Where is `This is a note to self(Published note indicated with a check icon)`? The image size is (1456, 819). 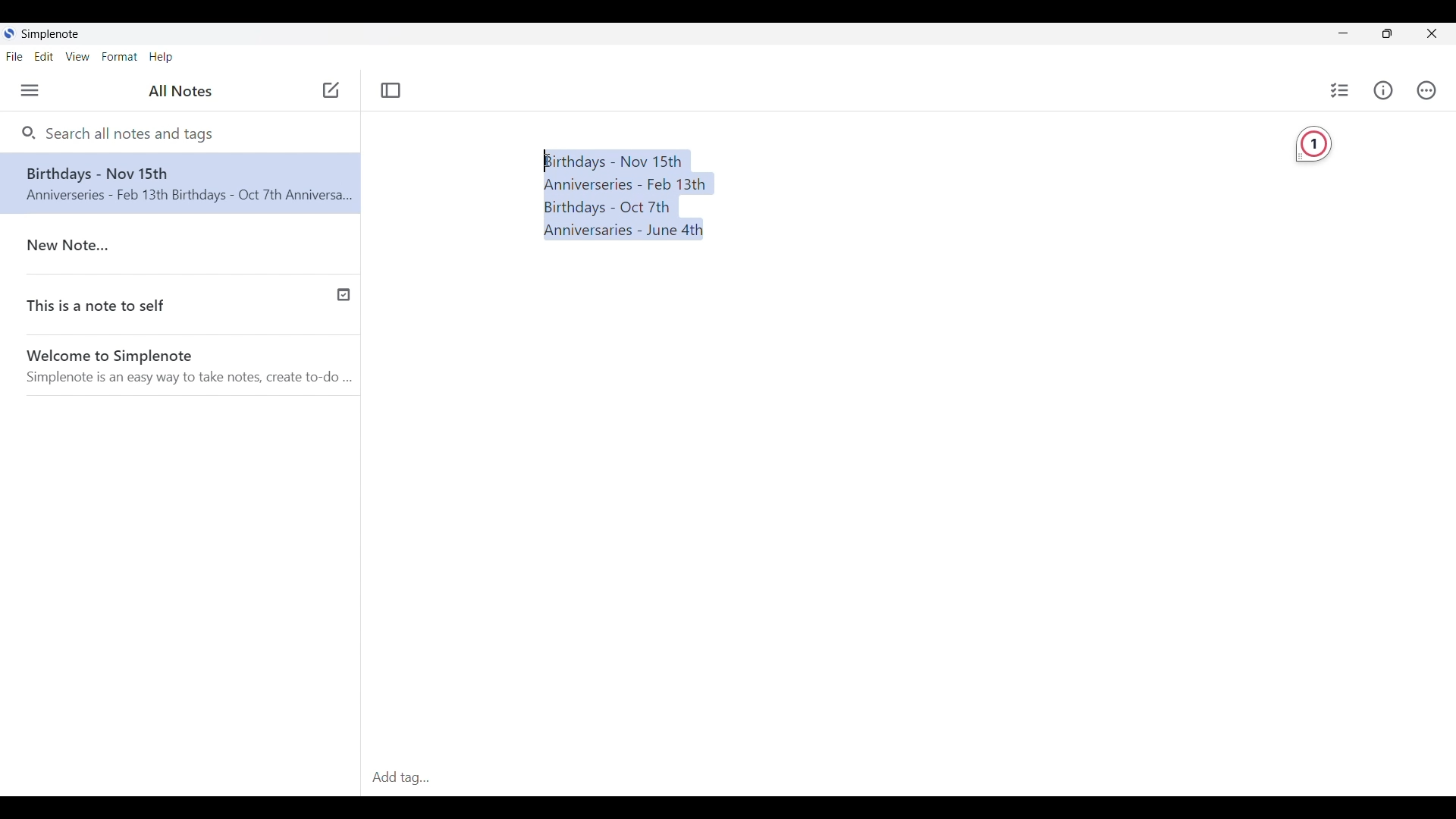 This is a note to self(Published note indicated with a check icon) is located at coordinates (181, 306).